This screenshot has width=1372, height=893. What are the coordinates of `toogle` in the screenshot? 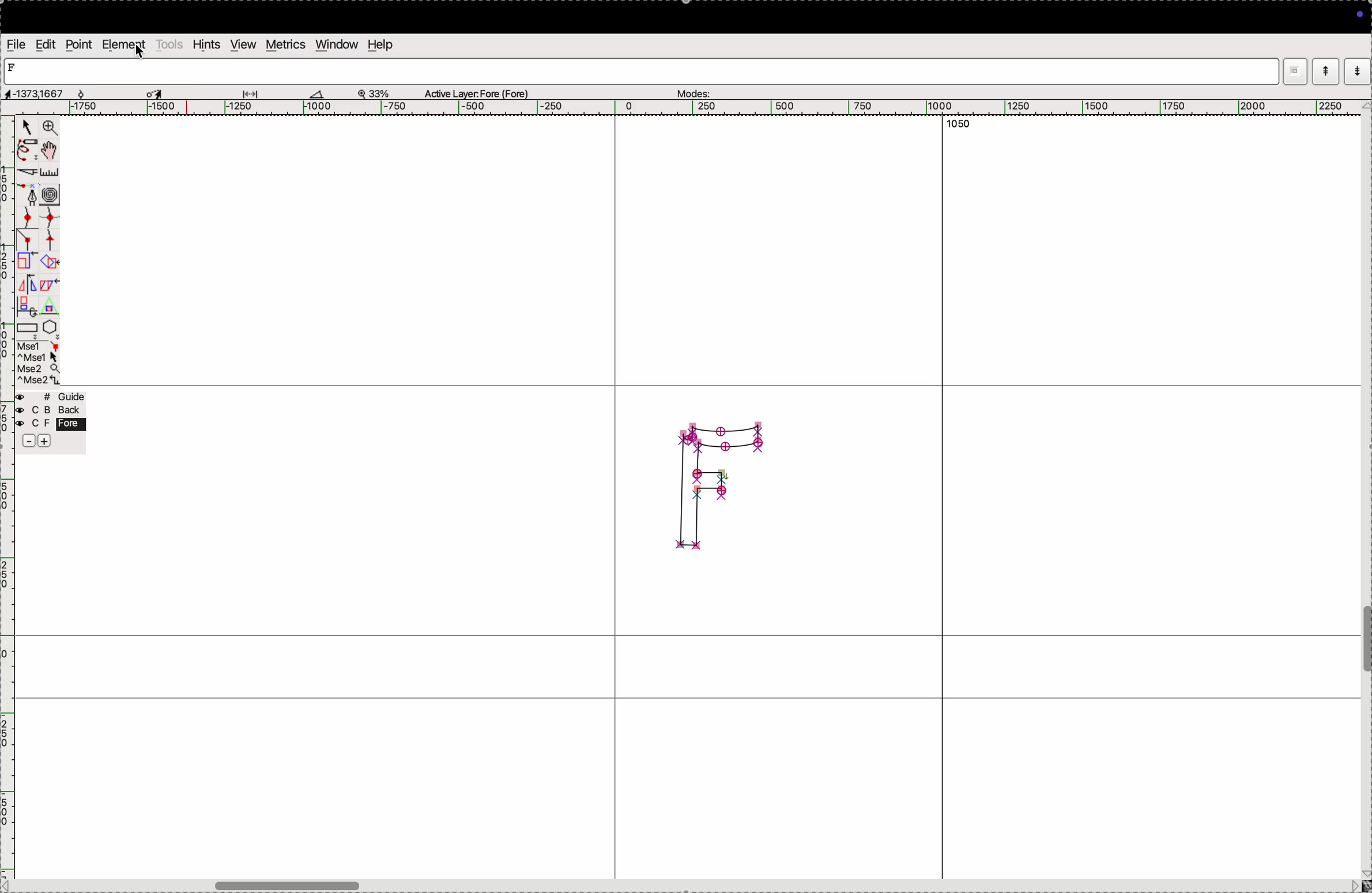 It's located at (311, 883).